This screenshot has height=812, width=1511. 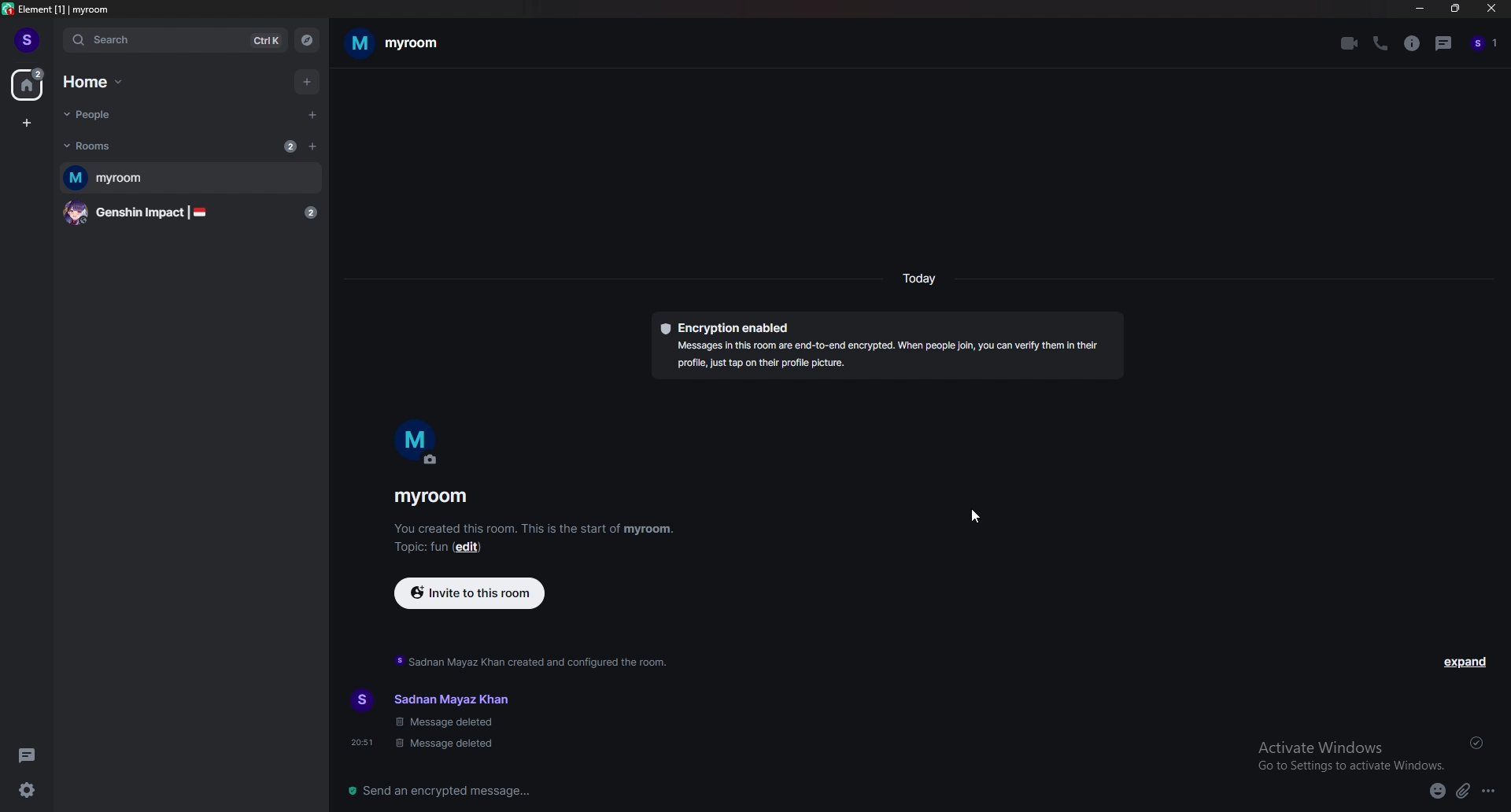 What do you see at coordinates (1436, 792) in the screenshot?
I see `emoji` at bounding box center [1436, 792].